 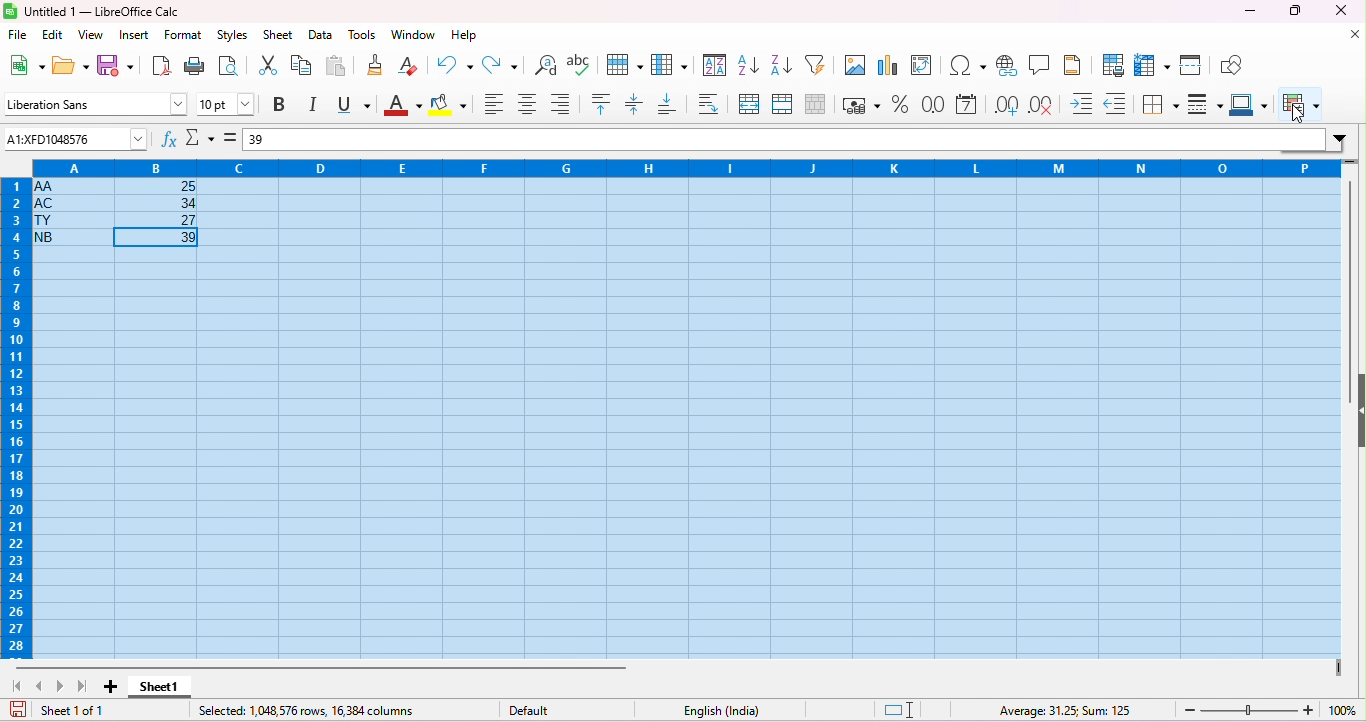 I want to click on value changed, so click(x=75, y=140).